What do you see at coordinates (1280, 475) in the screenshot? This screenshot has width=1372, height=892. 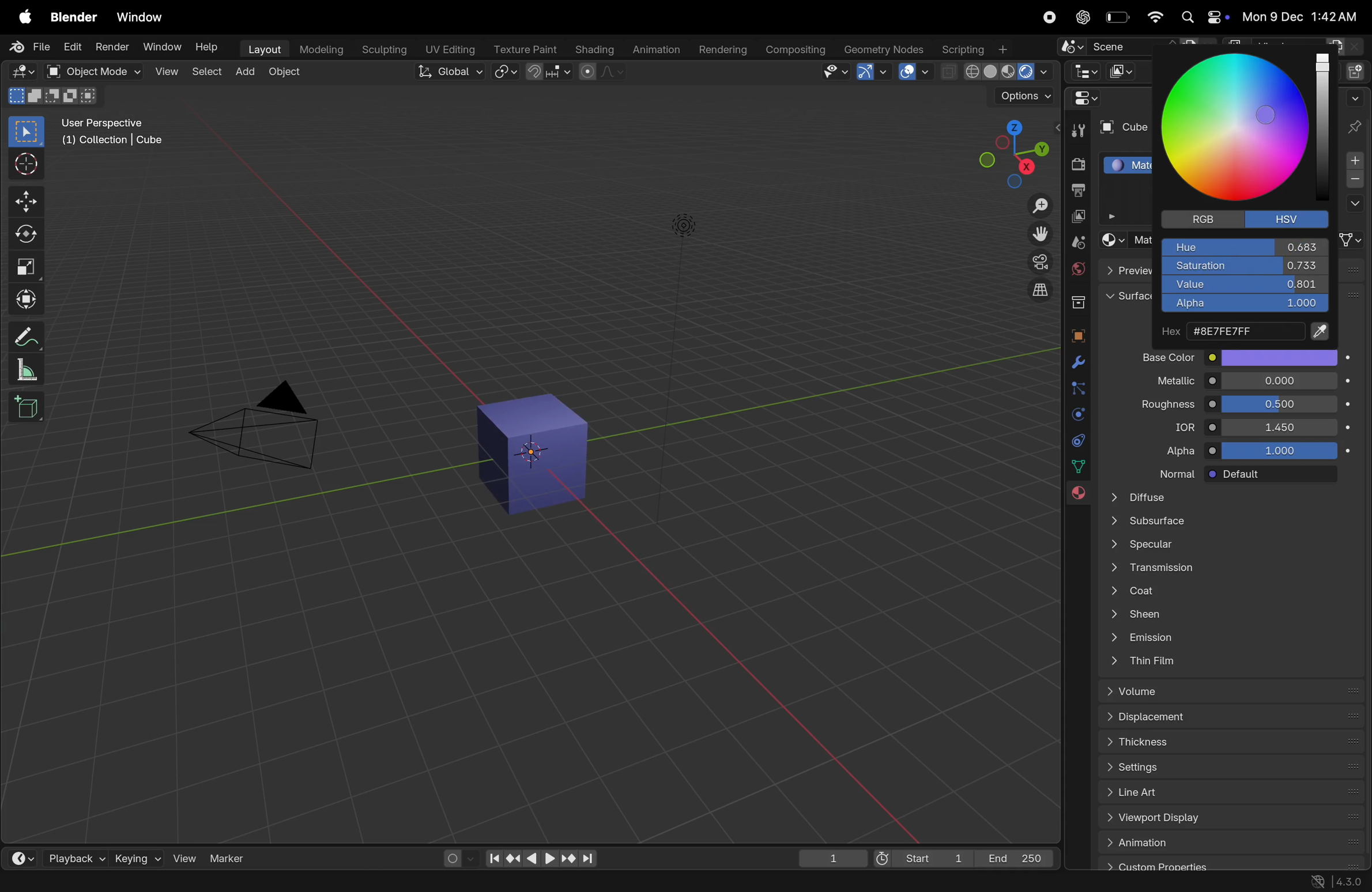 I see `default` at bounding box center [1280, 475].